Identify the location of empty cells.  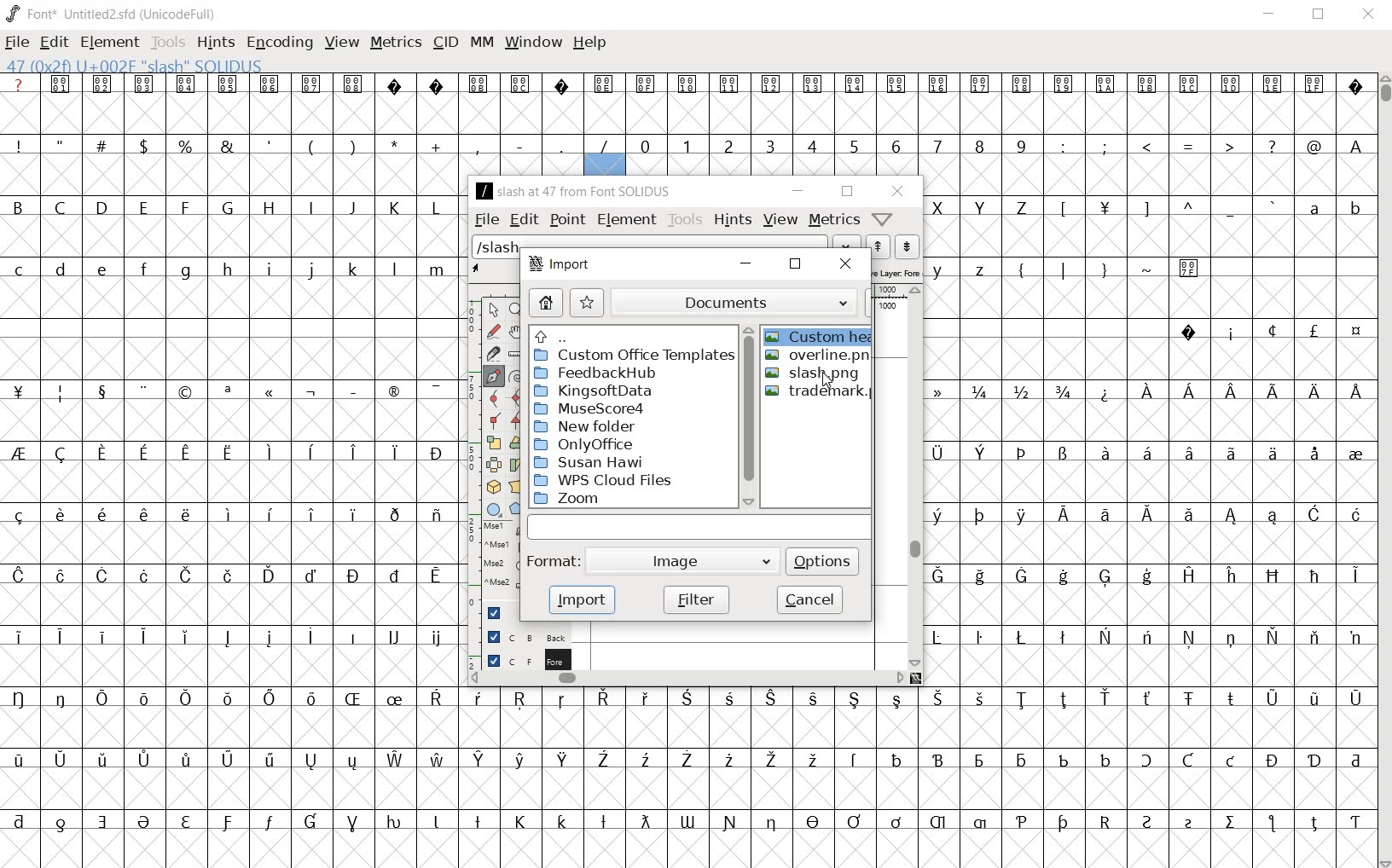
(1151, 666).